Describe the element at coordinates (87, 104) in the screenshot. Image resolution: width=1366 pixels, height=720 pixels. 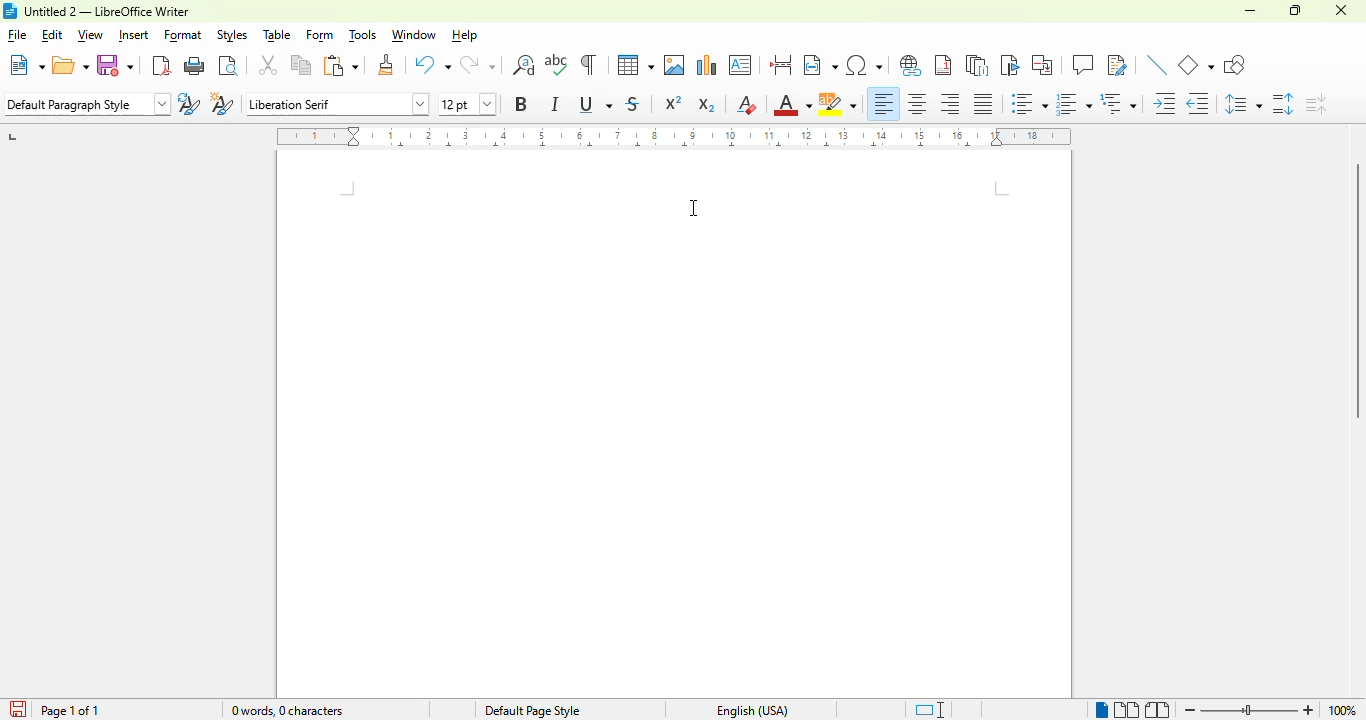
I see `set paragraph style` at that location.